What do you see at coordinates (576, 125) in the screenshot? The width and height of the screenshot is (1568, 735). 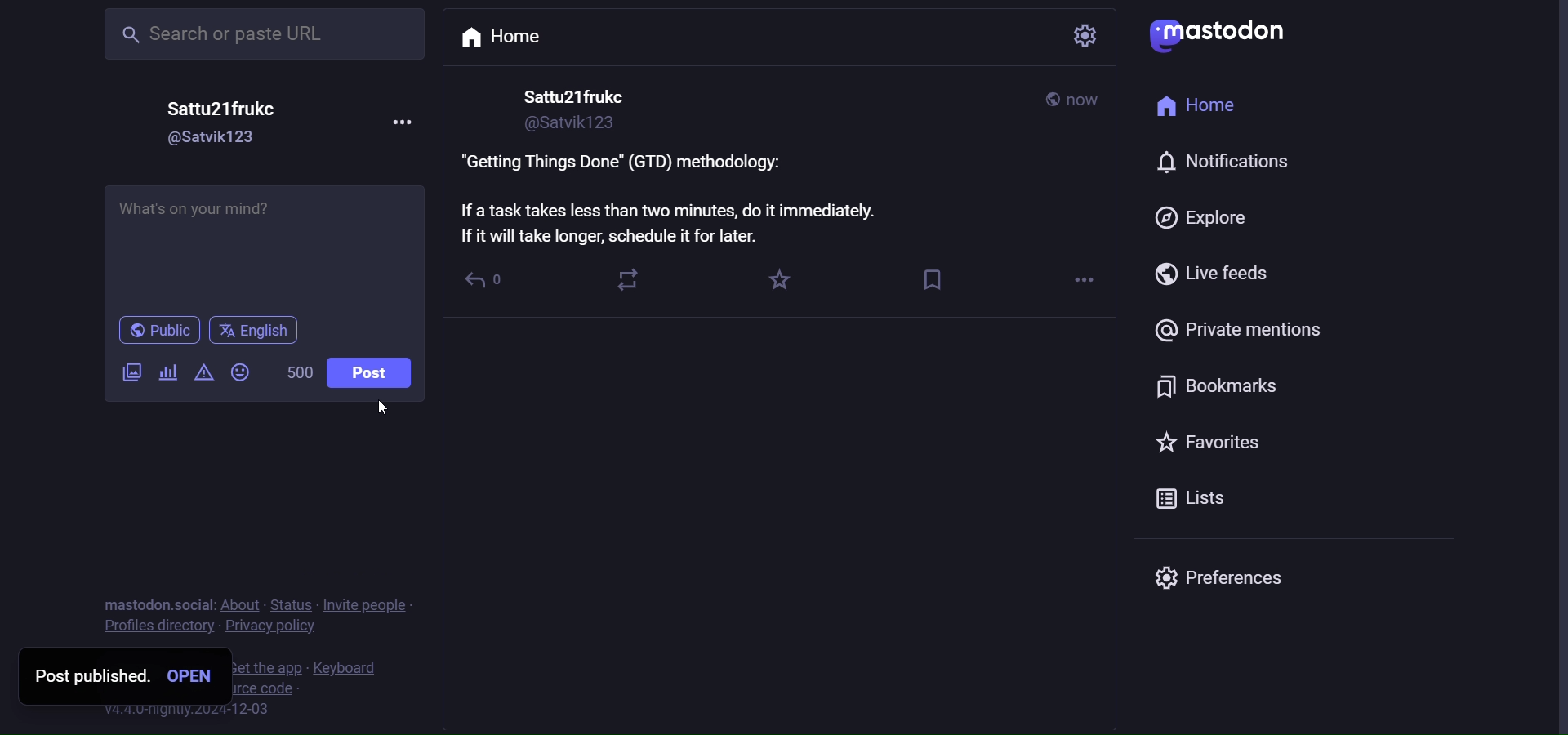 I see `id` at bounding box center [576, 125].